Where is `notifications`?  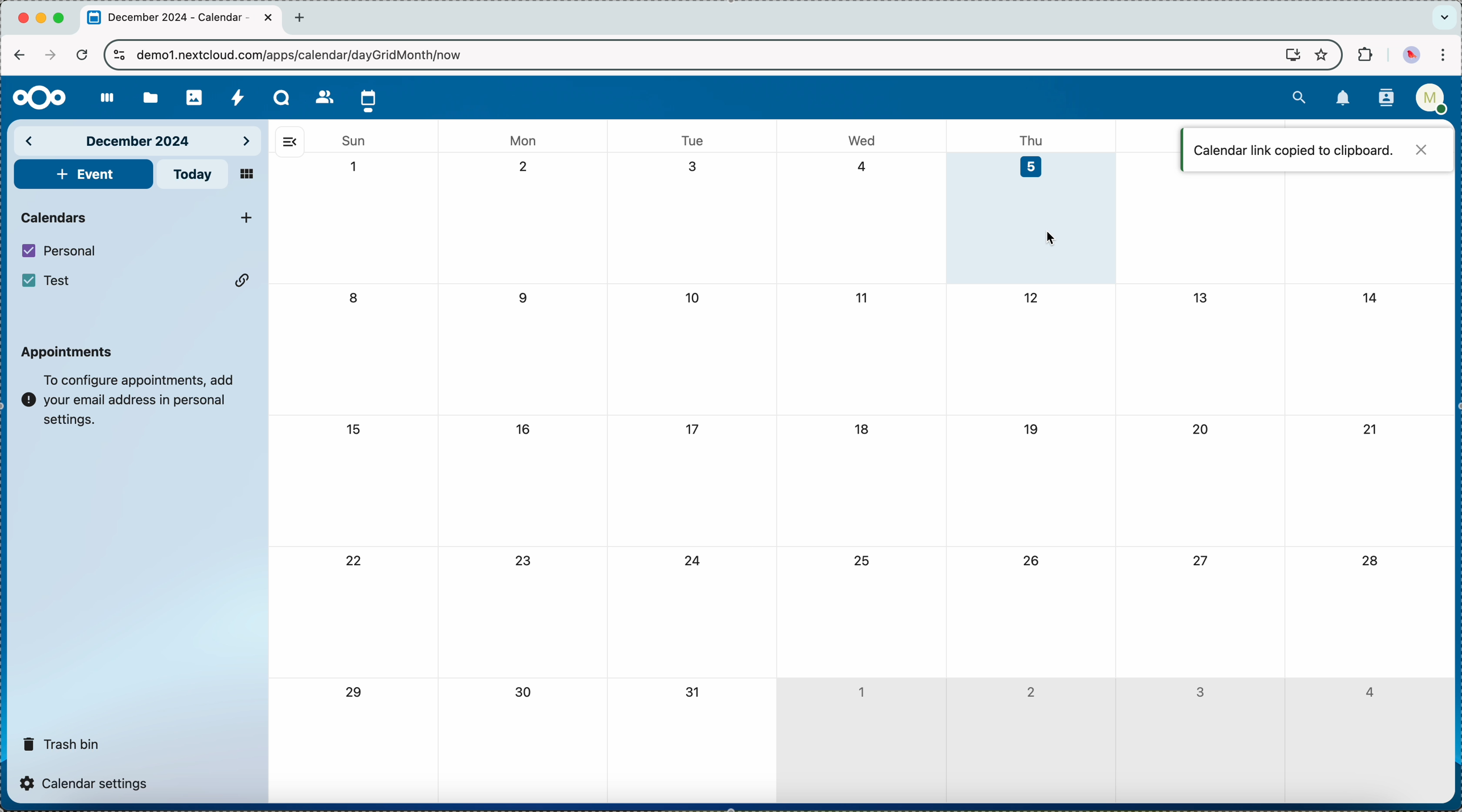
notifications is located at coordinates (1343, 99).